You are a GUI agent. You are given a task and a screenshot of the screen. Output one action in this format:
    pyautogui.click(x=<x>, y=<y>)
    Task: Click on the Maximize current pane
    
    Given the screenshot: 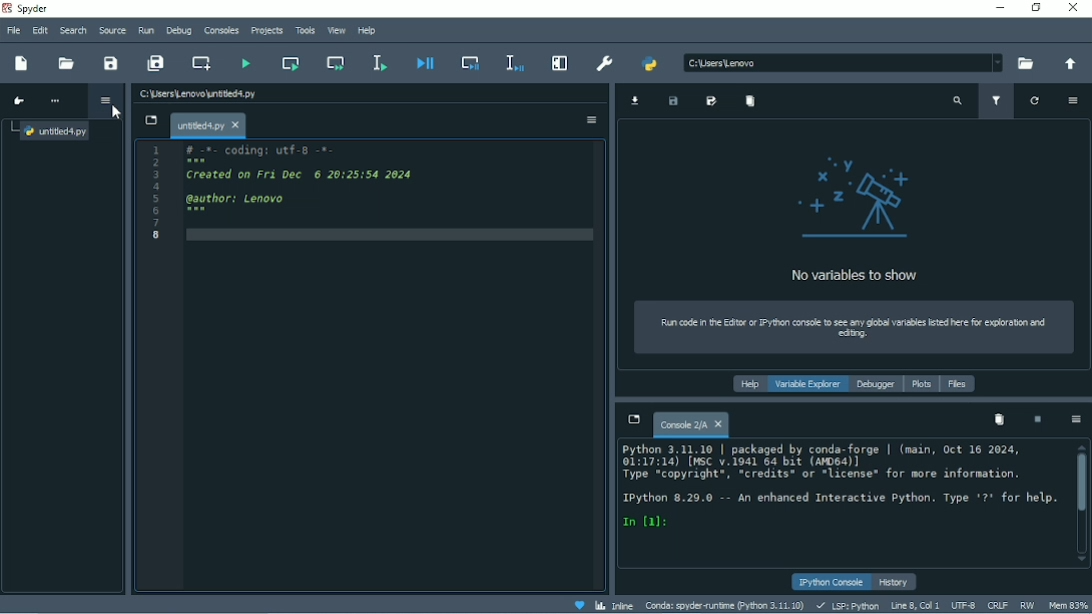 What is the action you would take?
    pyautogui.click(x=558, y=62)
    